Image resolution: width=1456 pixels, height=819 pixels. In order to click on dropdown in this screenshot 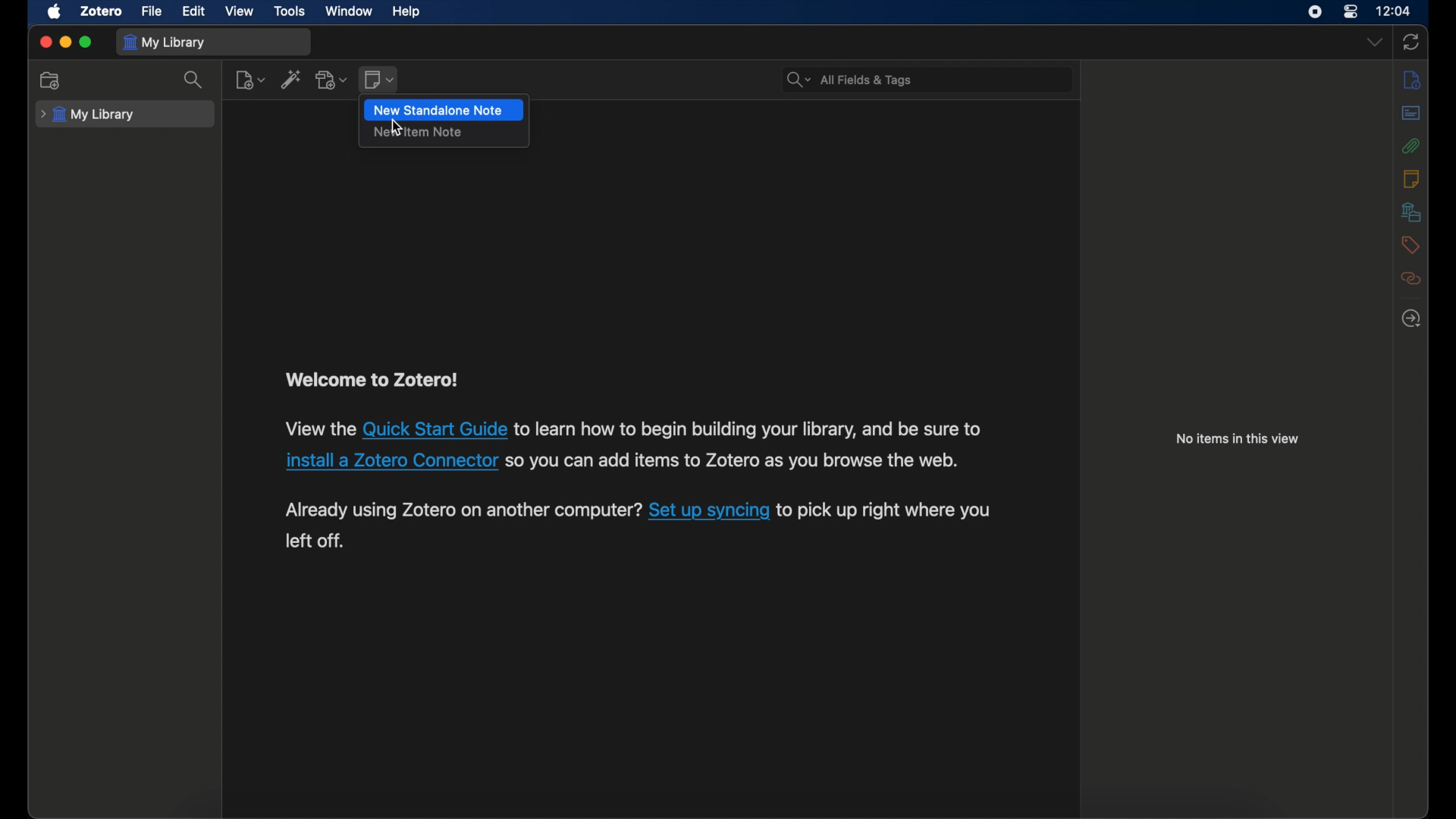, I will do `click(1375, 42)`.